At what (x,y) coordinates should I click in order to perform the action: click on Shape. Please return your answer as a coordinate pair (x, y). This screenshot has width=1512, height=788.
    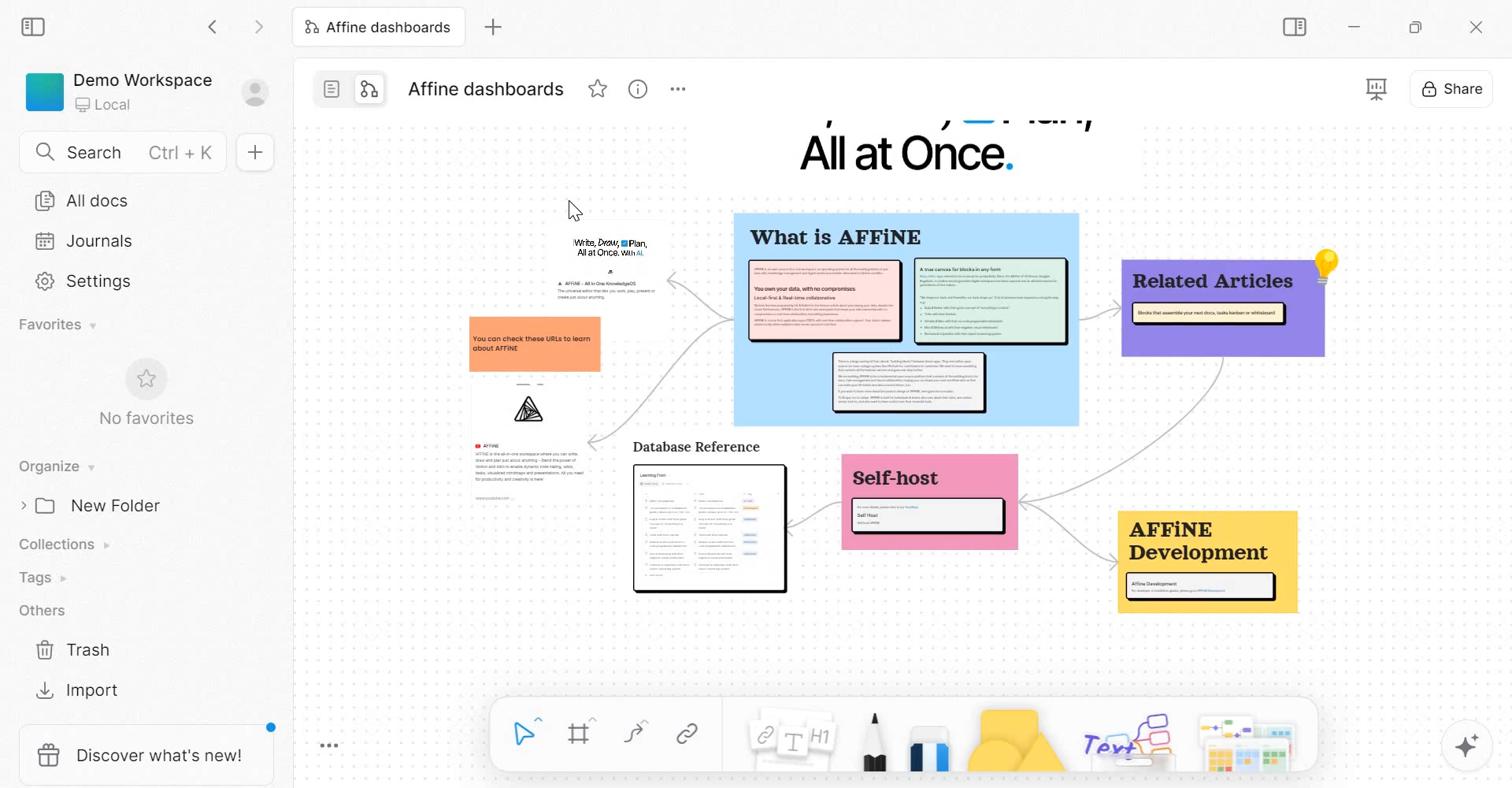
    Looking at the image, I should click on (1015, 739).